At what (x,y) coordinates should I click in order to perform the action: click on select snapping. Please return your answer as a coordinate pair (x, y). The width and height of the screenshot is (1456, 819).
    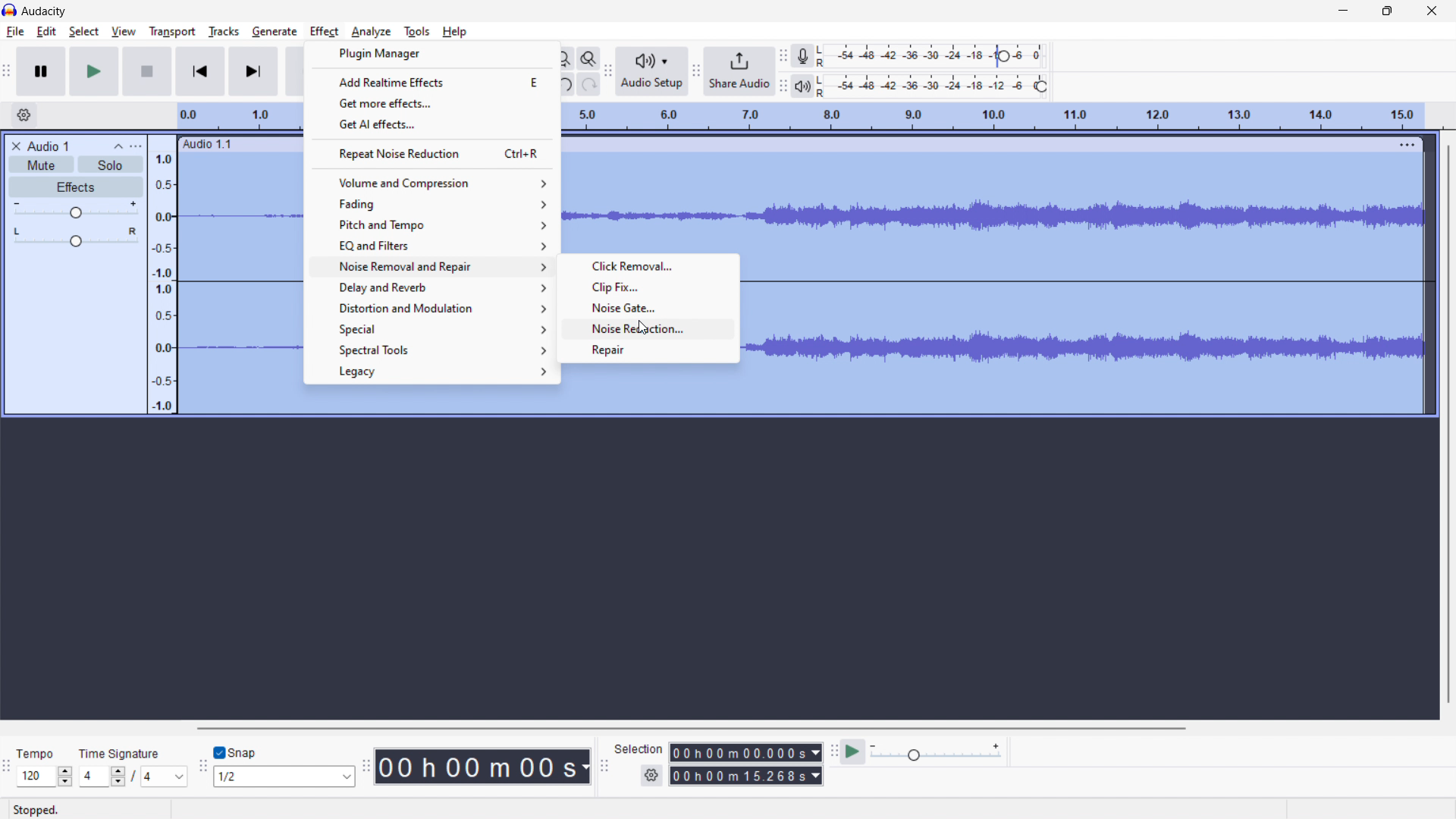
    Looking at the image, I should click on (283, 777).